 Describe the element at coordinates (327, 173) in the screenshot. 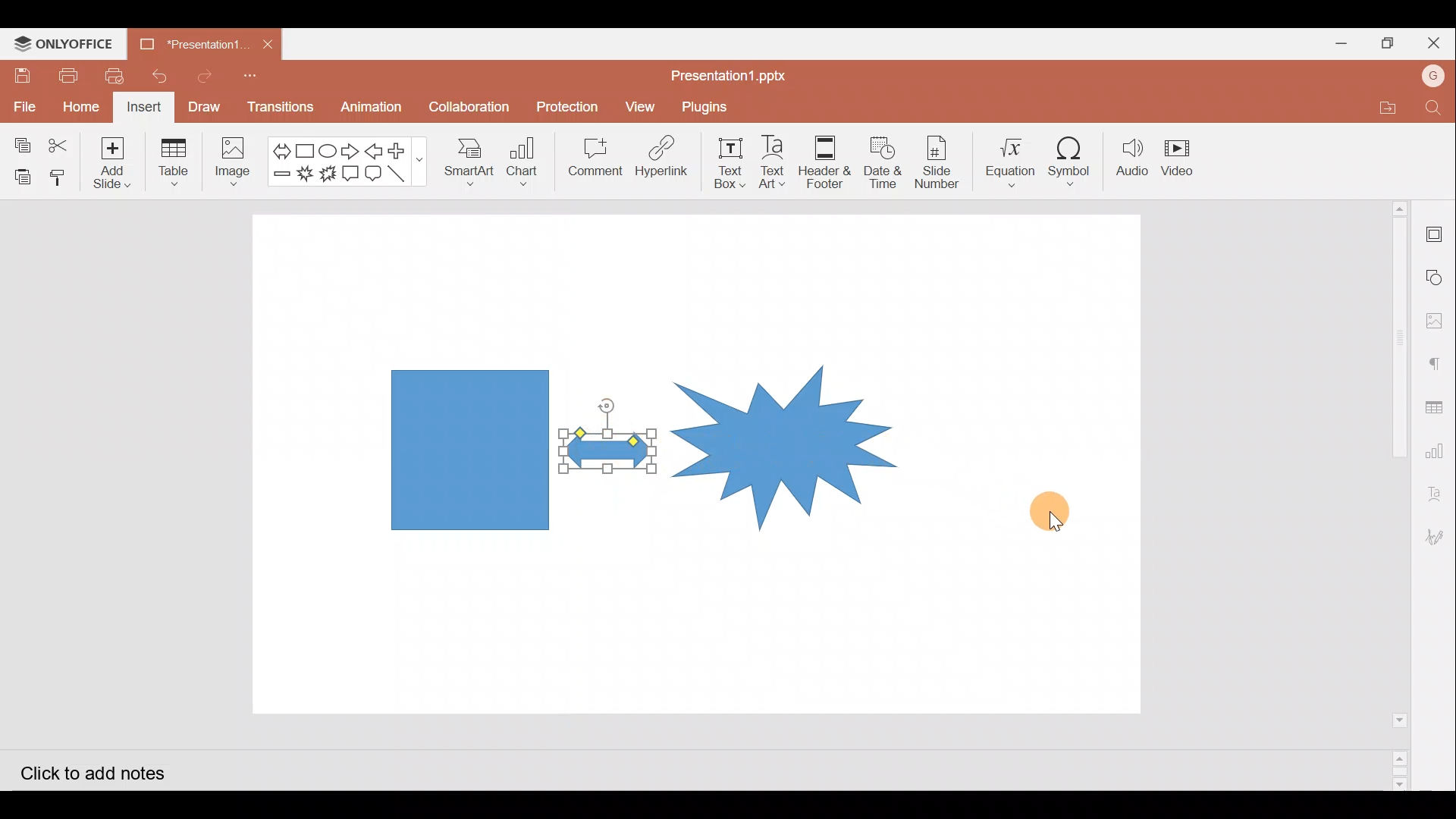

I see `Explosion 2` at that location.